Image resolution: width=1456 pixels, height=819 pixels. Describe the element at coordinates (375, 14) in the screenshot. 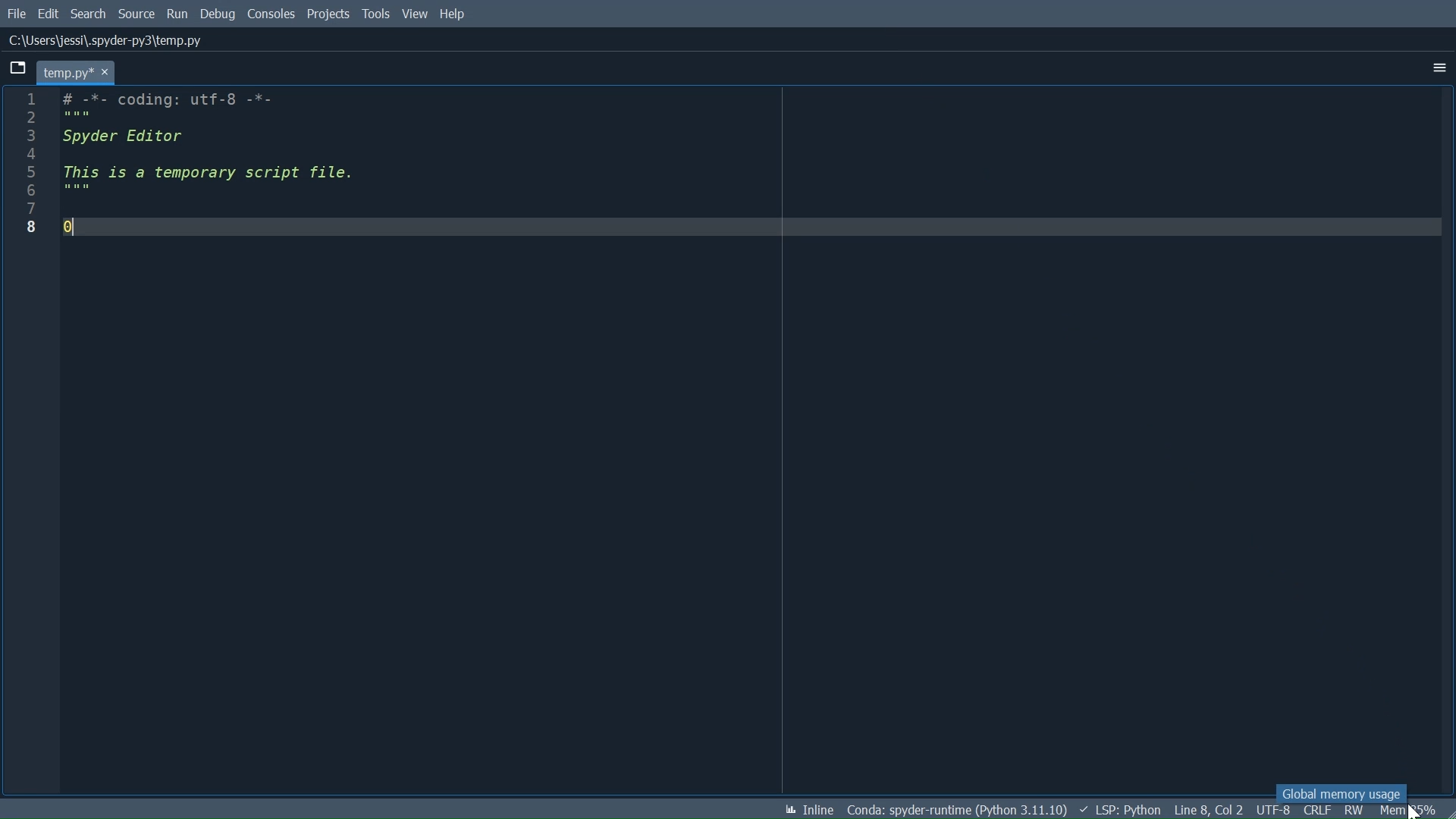

I see `Tools` at that location.